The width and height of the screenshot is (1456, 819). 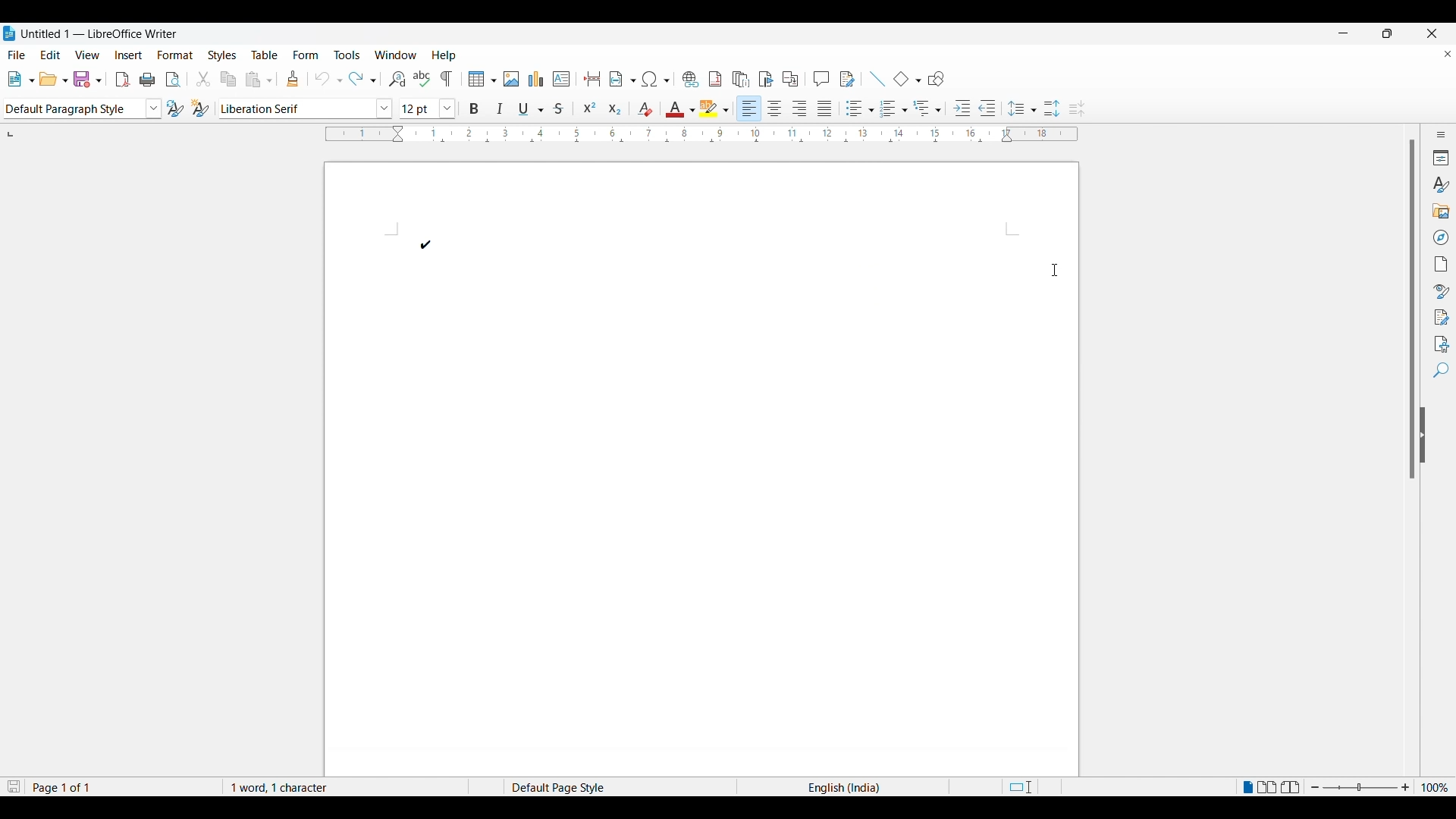 What do you see at coordinates (656, 79) in the screenshot?
I see `insert special character` at bounding box center [656, 79].